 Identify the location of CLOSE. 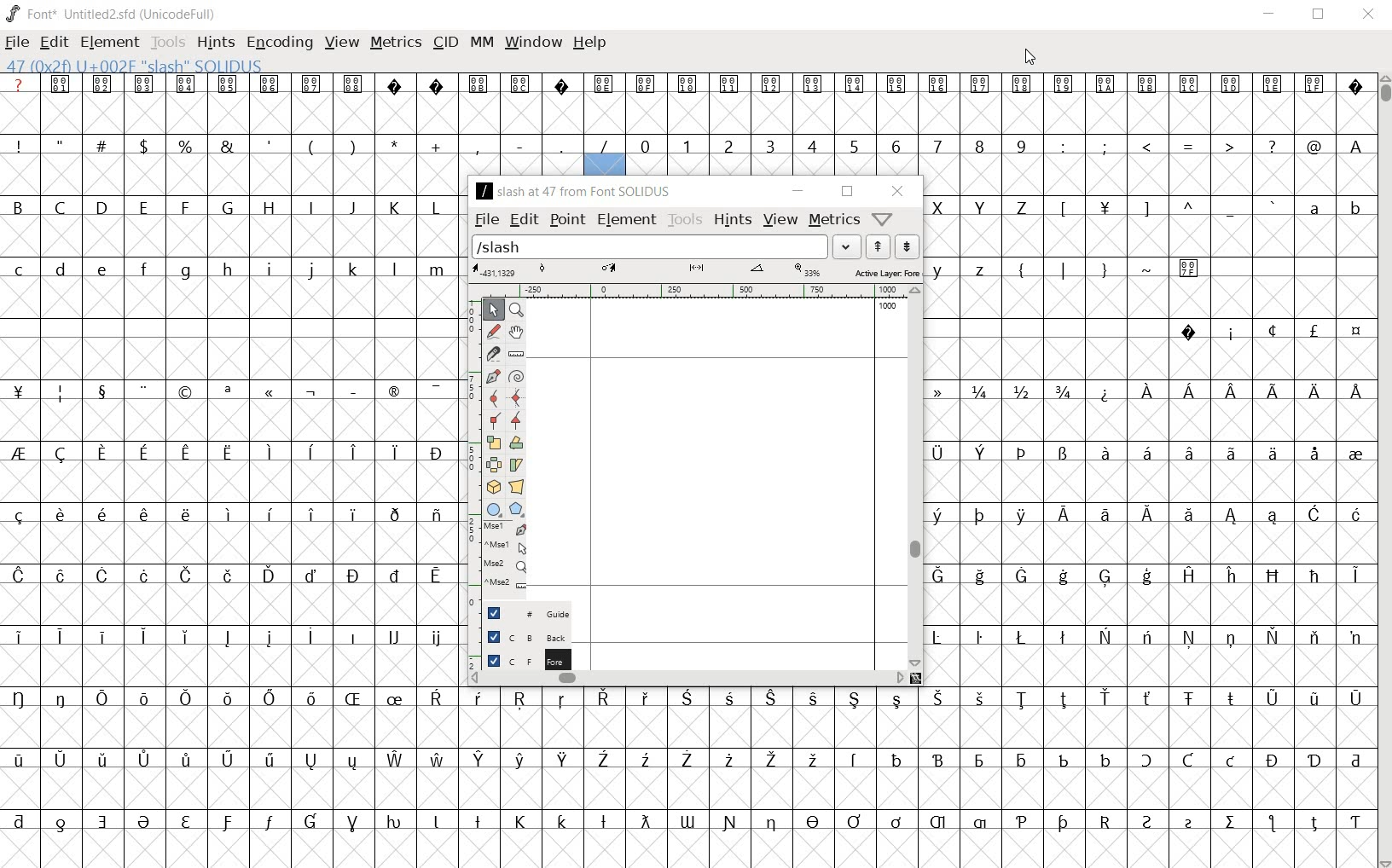
(1367, 14).